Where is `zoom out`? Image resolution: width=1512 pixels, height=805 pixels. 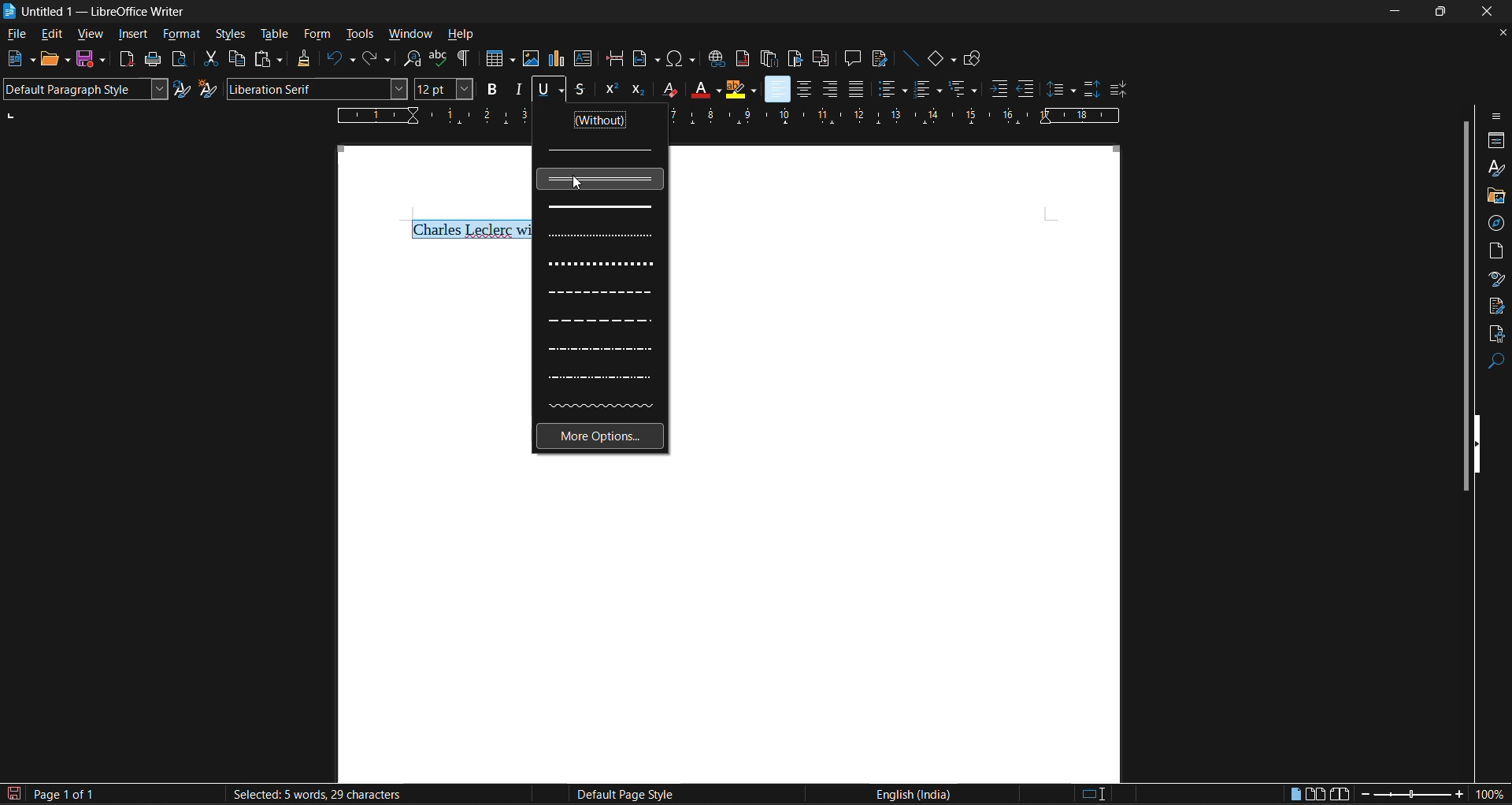 zoom out is located at coordinates (1361, 796).